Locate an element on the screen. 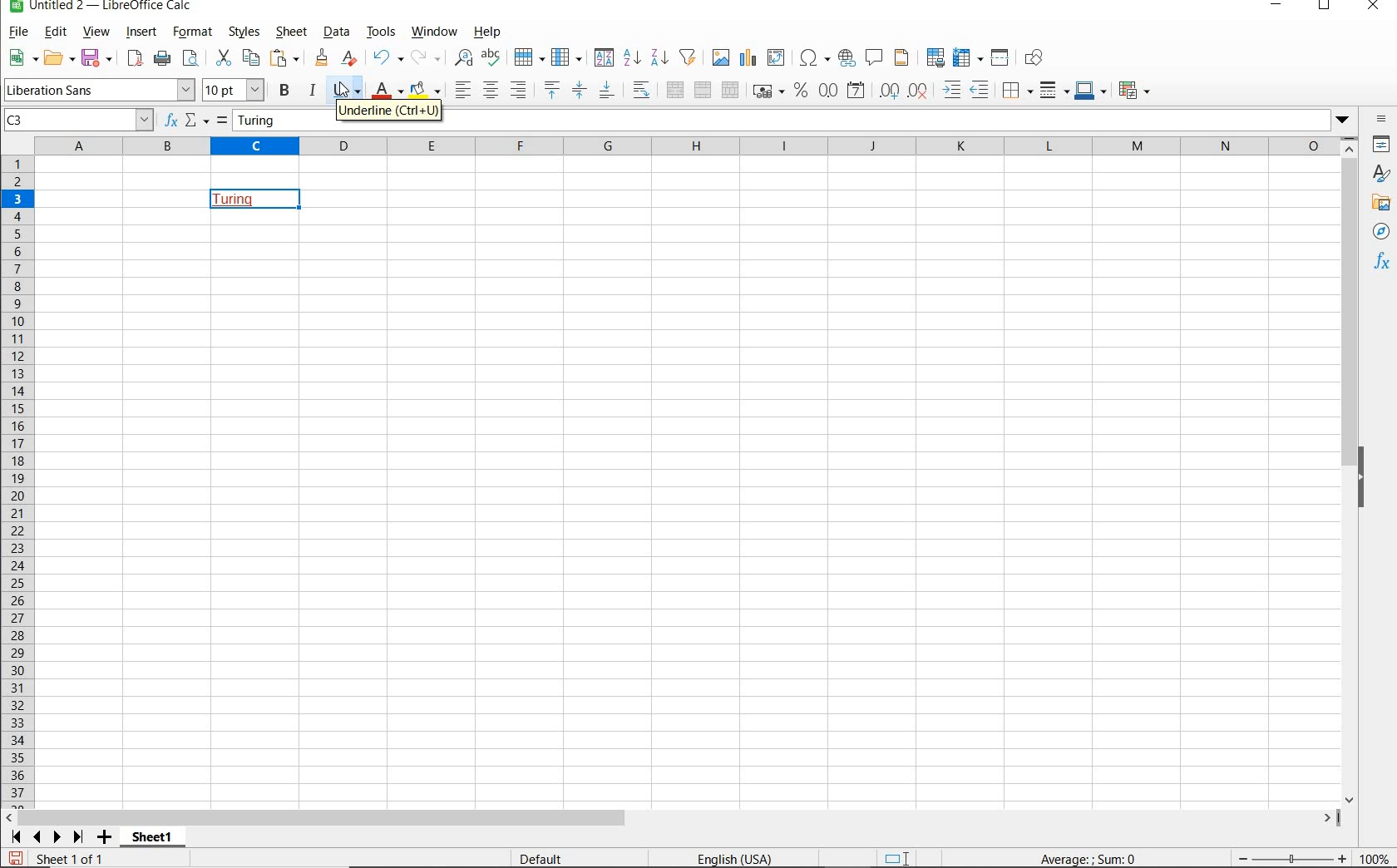  ITALIC is located at coordinates (313, 91).